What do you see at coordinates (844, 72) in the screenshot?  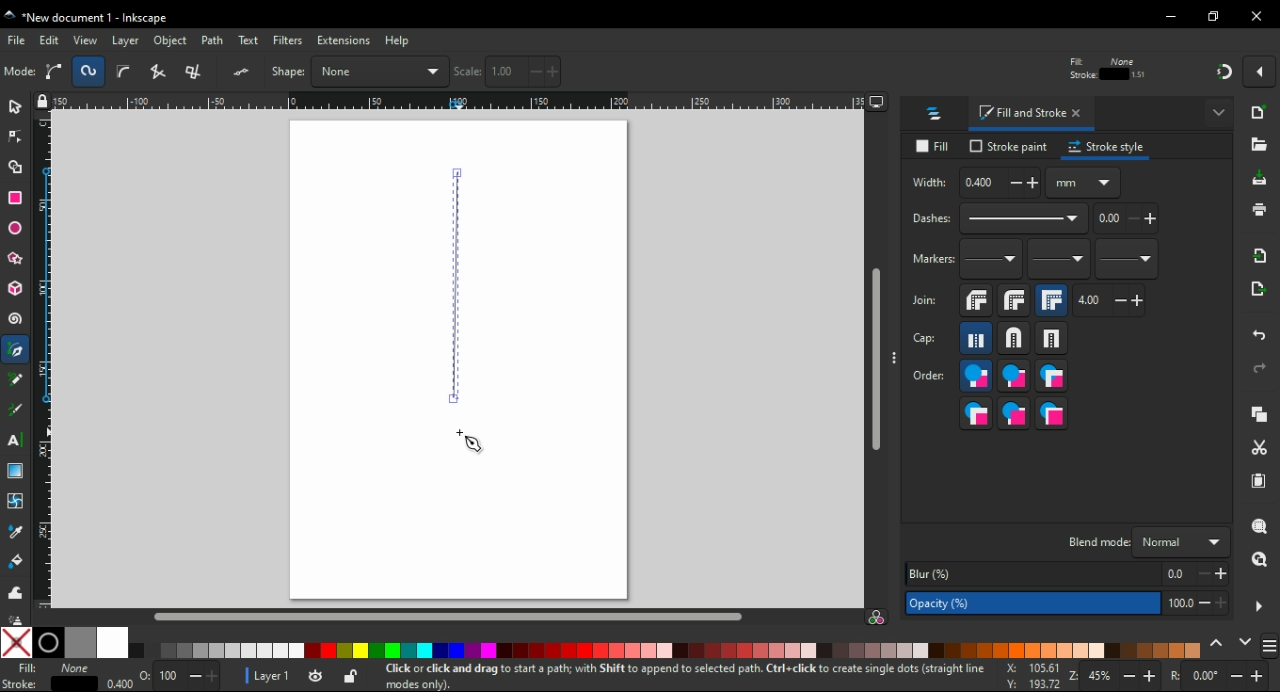 I see `lock` at bounding box center [844, 72].